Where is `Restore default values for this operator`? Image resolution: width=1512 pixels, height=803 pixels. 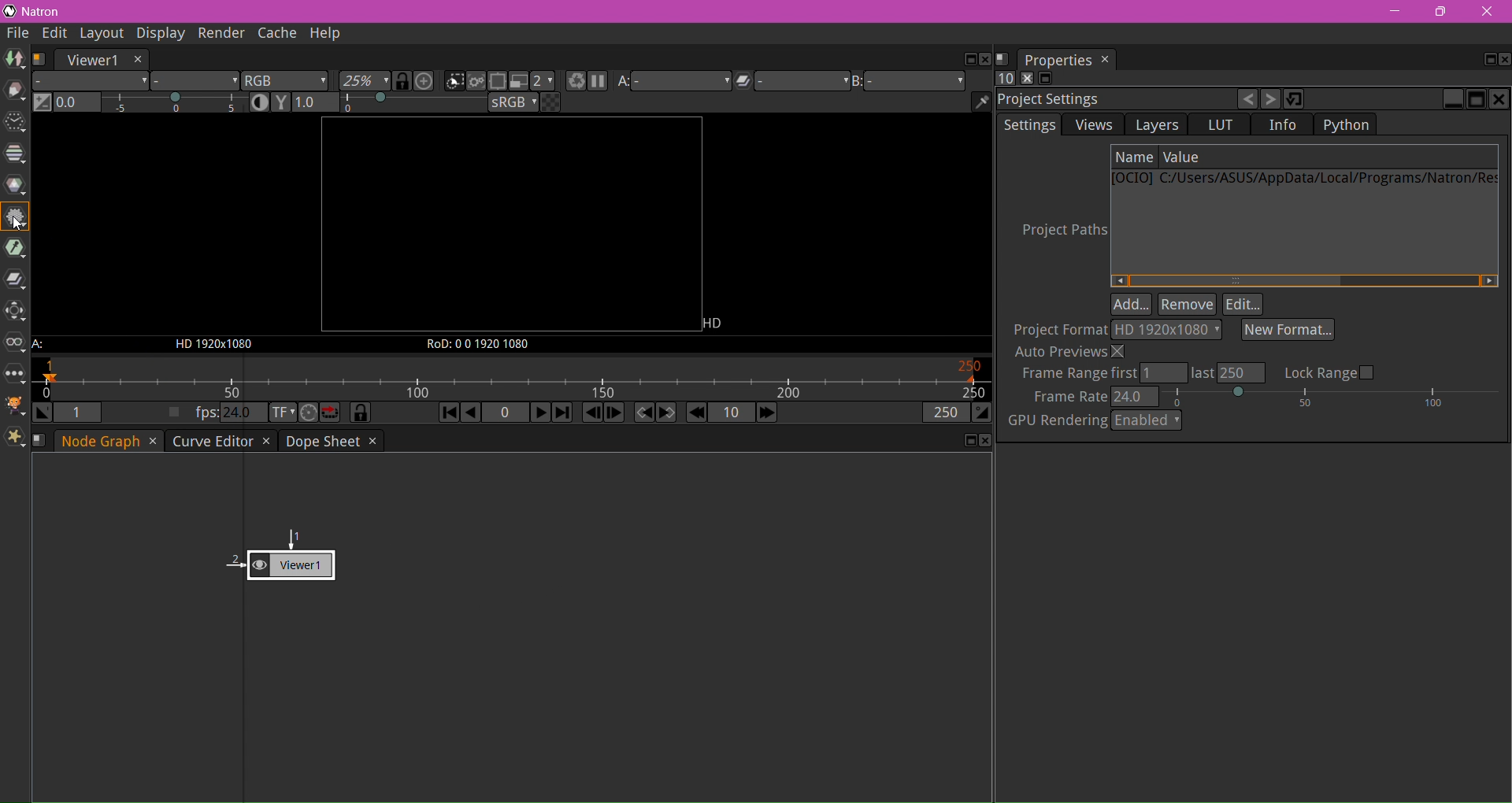
Restore default values for this operator is located at coordinates (1295, 98).